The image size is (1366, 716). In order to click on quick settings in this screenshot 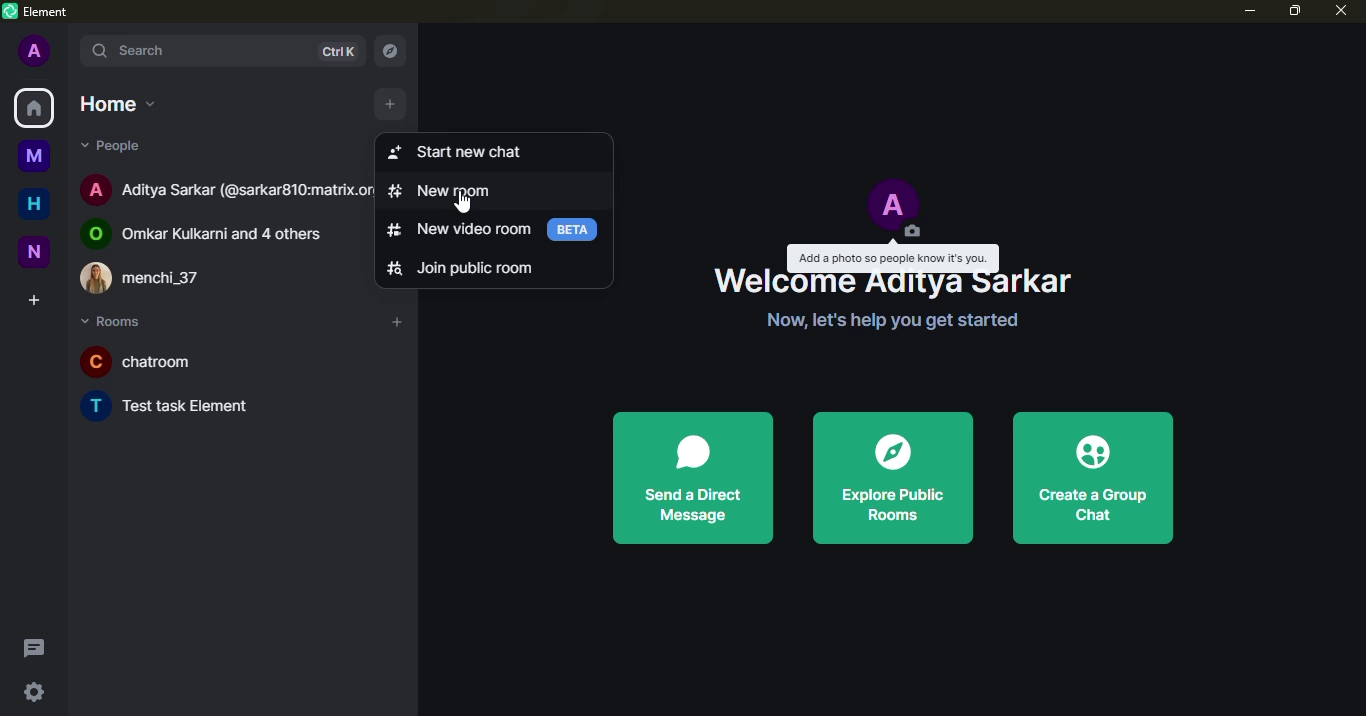, I will do `click(33, 690)`.